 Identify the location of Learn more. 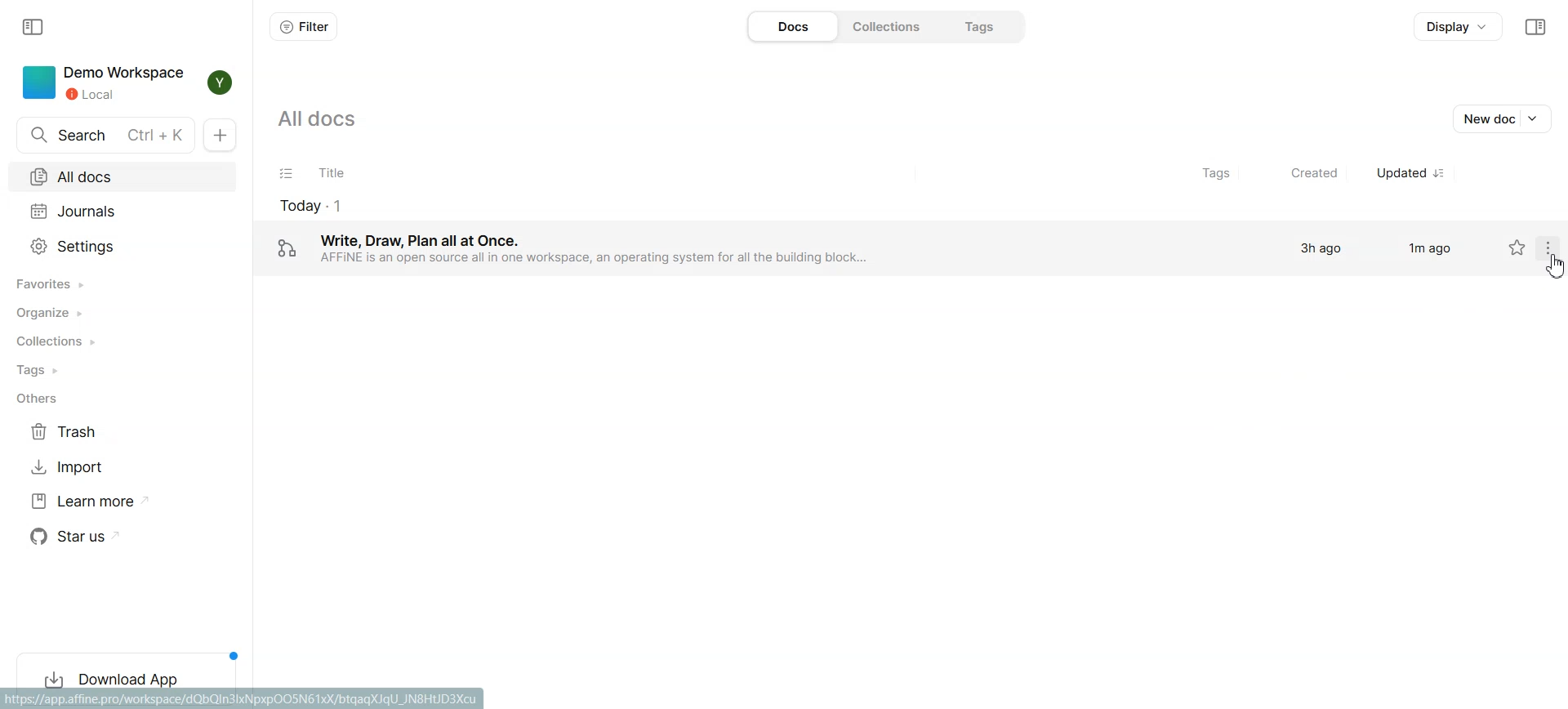
(107, 502).